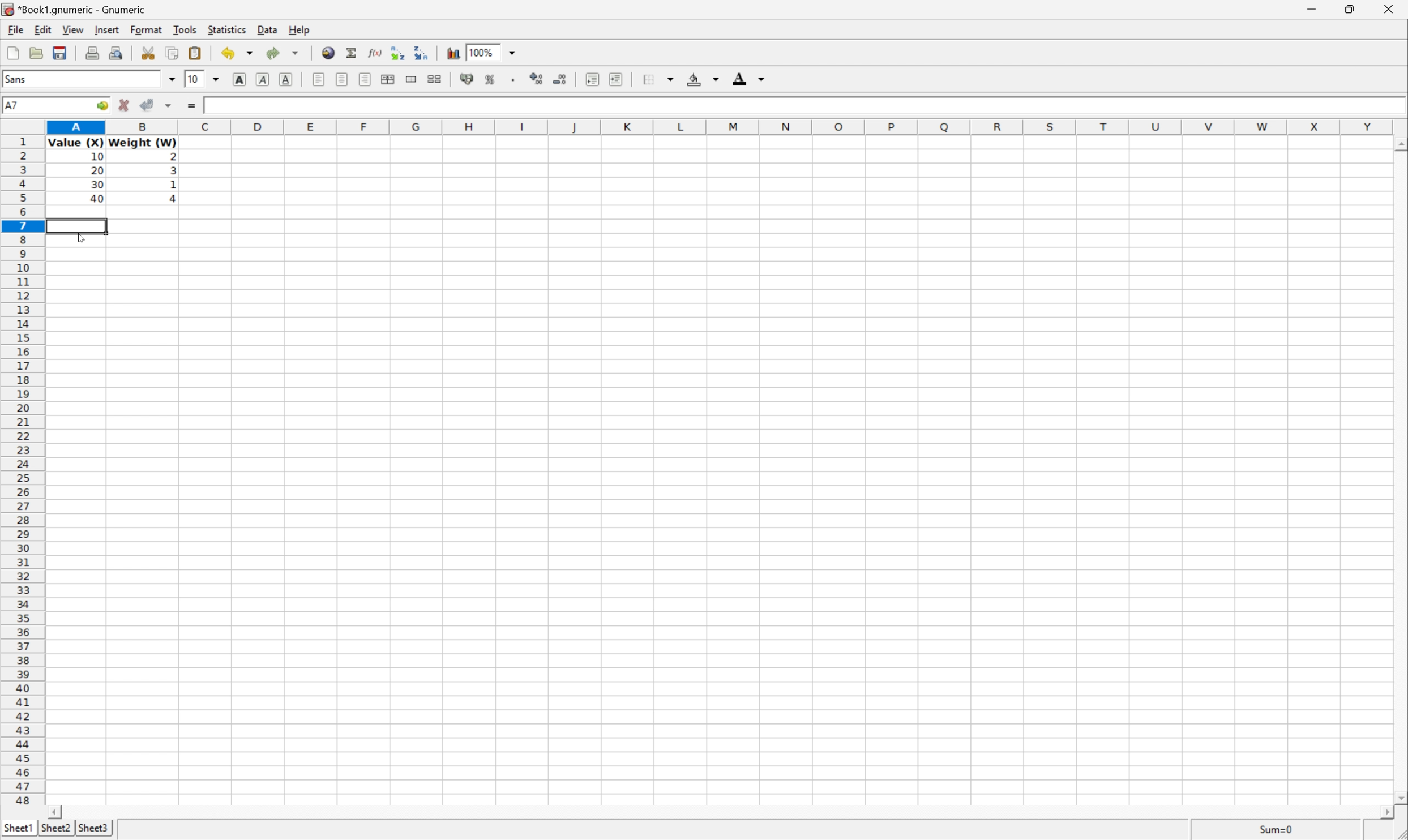  What do you see at coordinates (21, 472) in the screenshot?
I see `Row number` at bounding box center [21, 472].